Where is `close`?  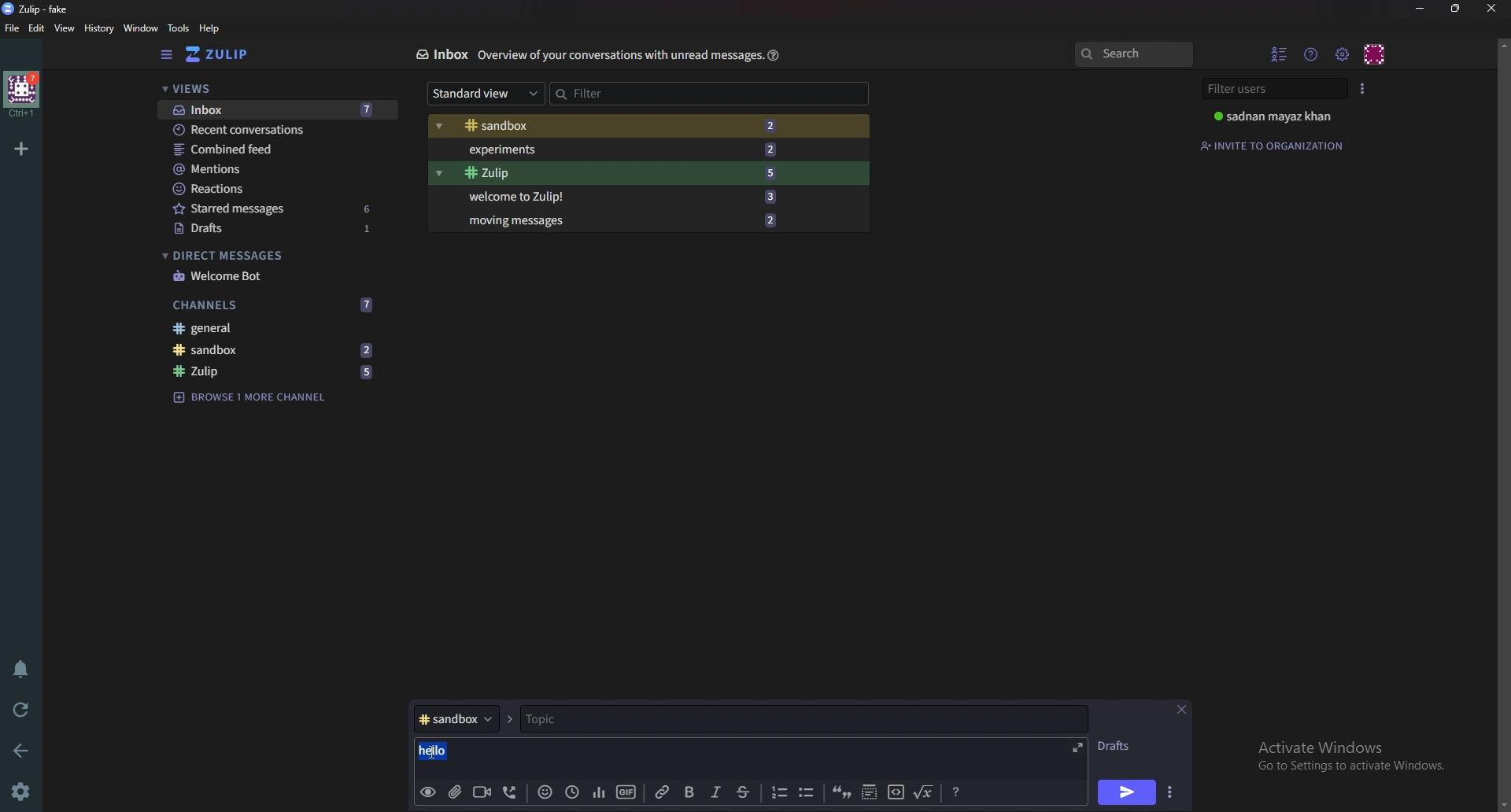
close is located at coordinates (1491, 9).